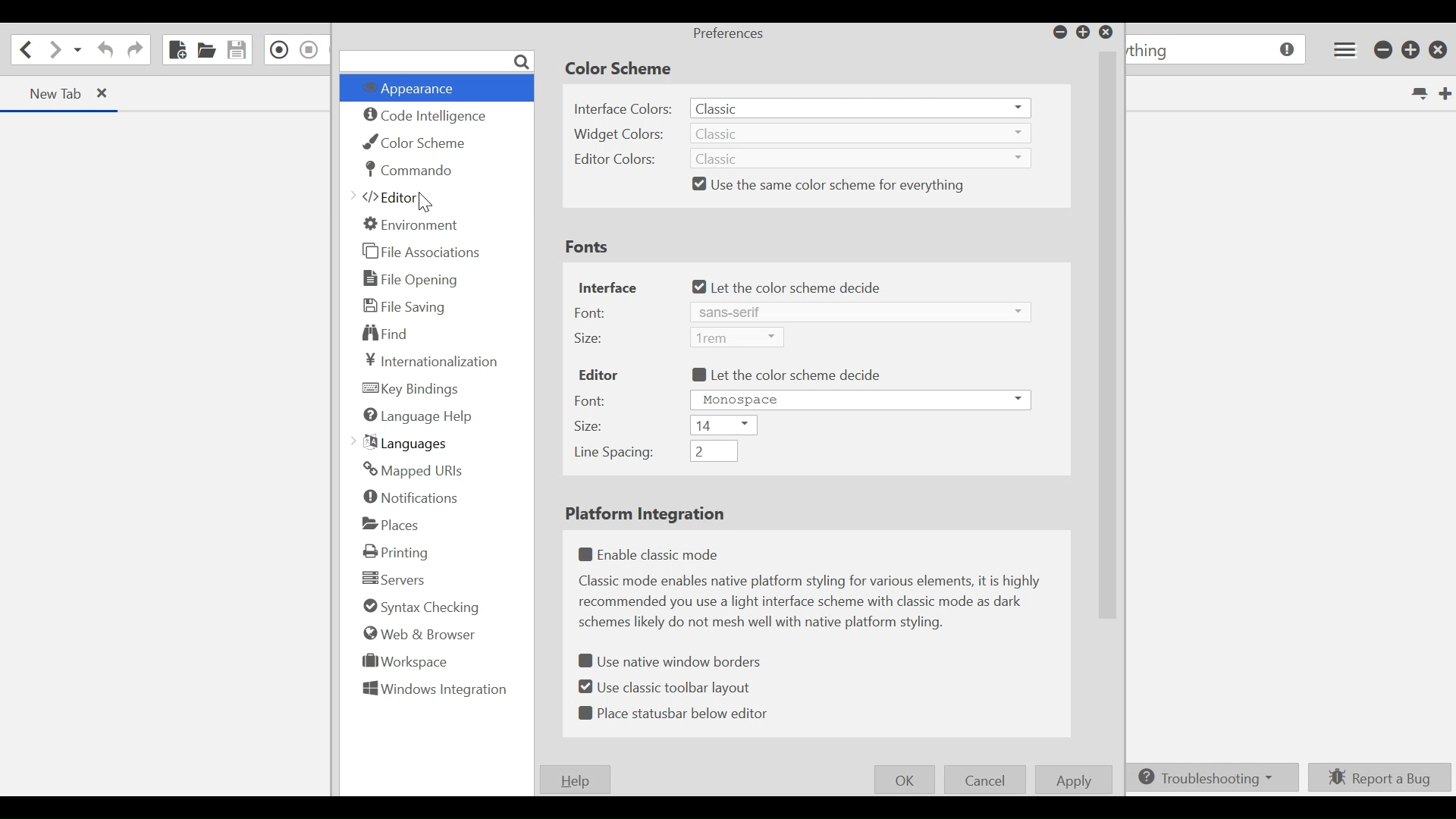  What do you see at coordinates (206, 49) in the screenshot?
I see `Open File` at bounding box center [206, 49].